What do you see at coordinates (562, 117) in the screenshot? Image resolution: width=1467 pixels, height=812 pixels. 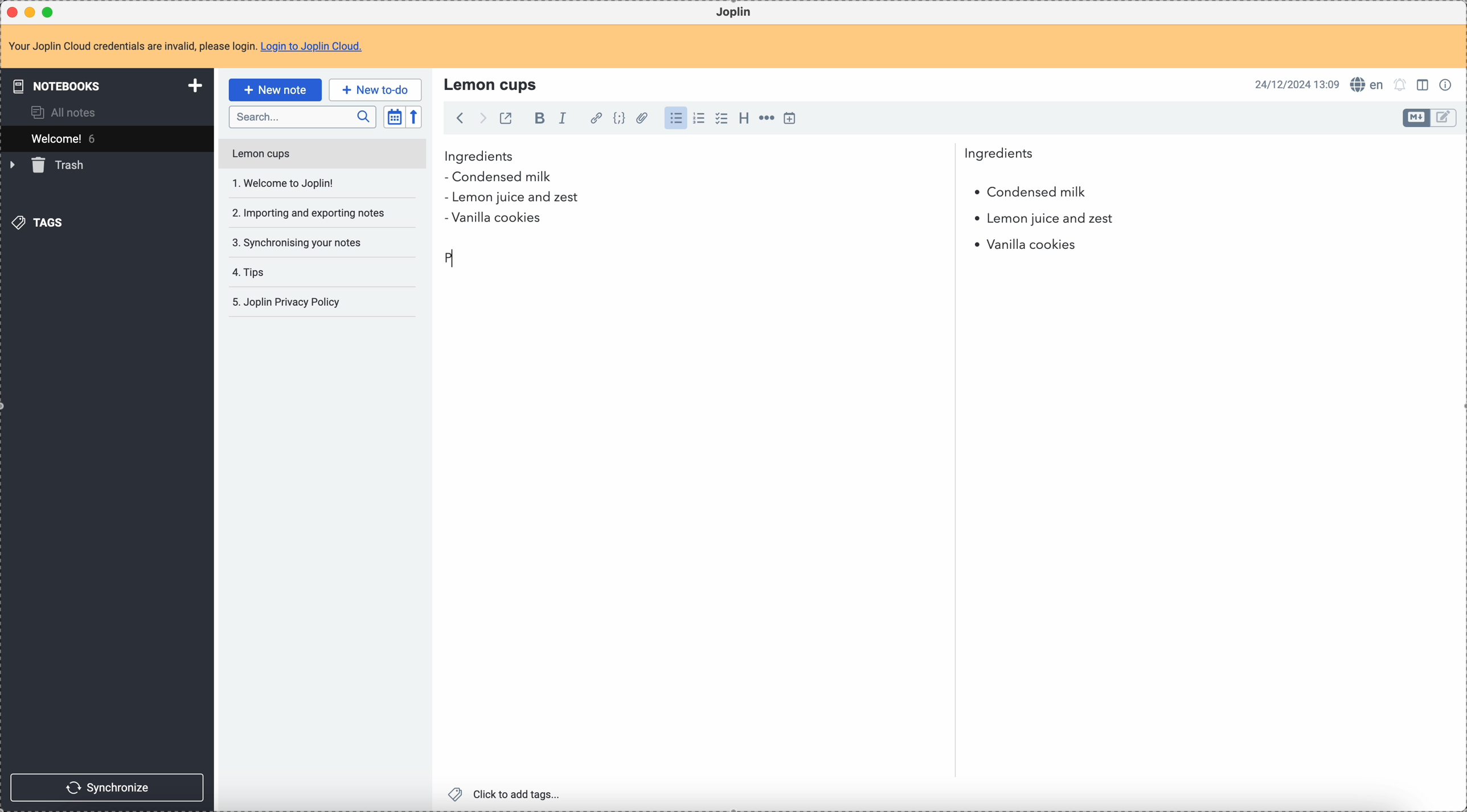 I see `italic` at bounding box center [562, 117].